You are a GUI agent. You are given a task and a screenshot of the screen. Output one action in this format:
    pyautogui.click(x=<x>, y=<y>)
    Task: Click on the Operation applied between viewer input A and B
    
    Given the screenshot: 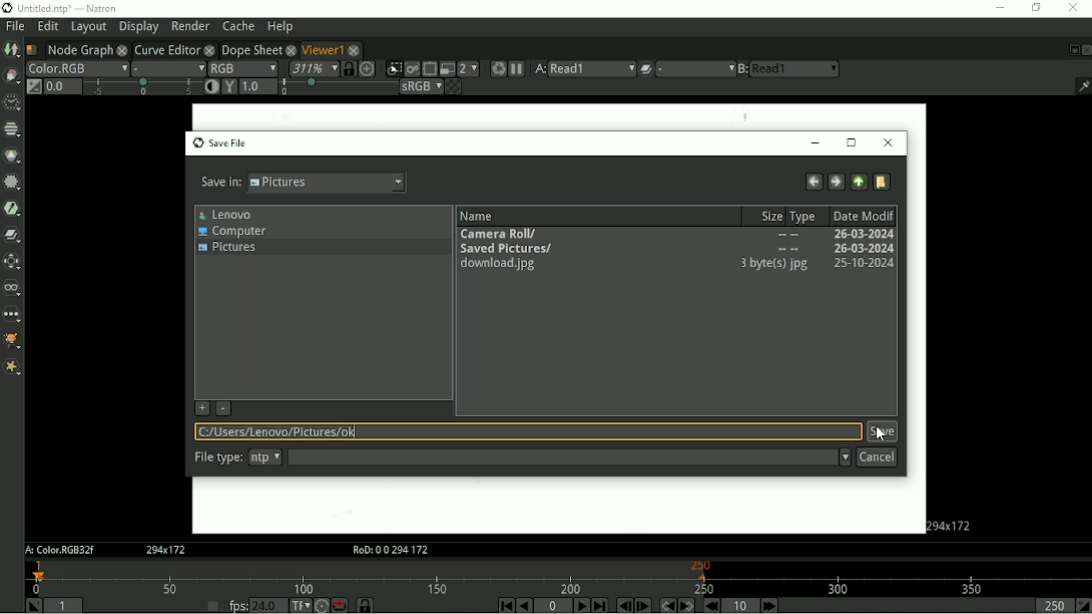 What is the action you would take?
    pyautogui.click(x=645, y=70)
    